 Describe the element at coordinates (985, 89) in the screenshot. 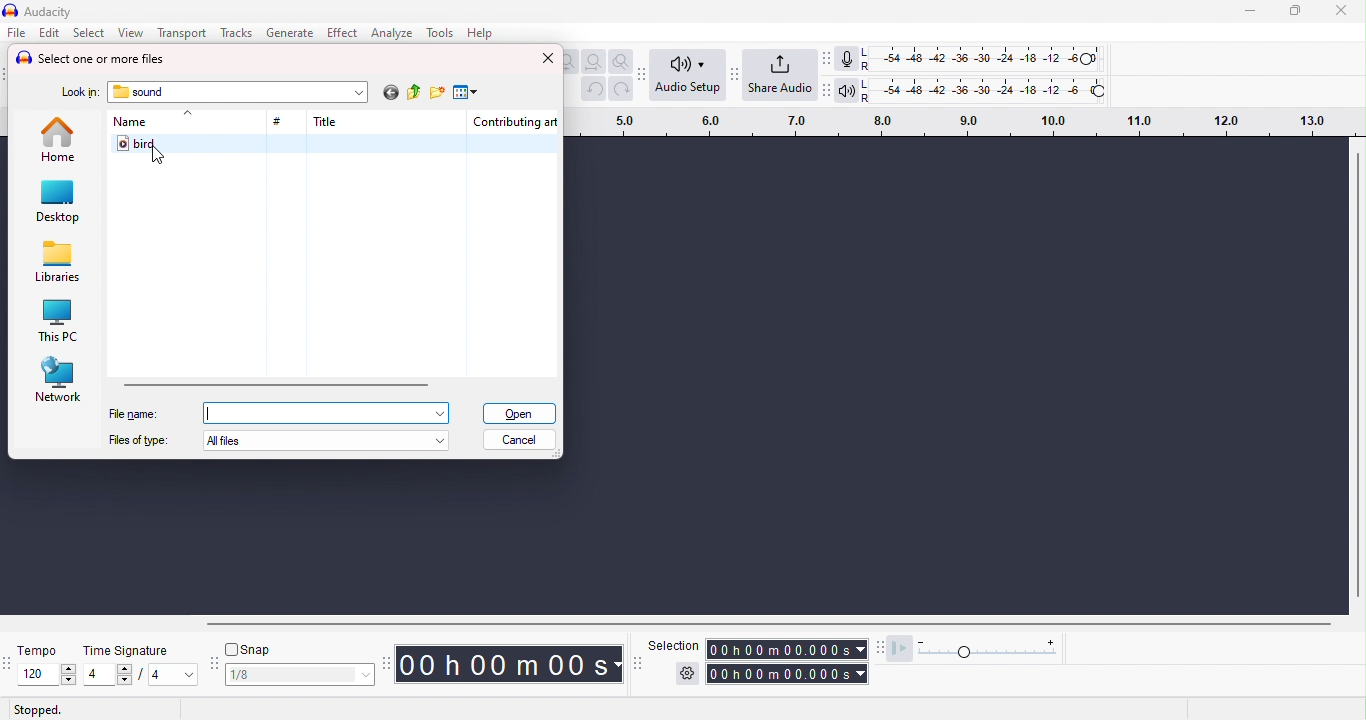

I see `playback level` at that location.